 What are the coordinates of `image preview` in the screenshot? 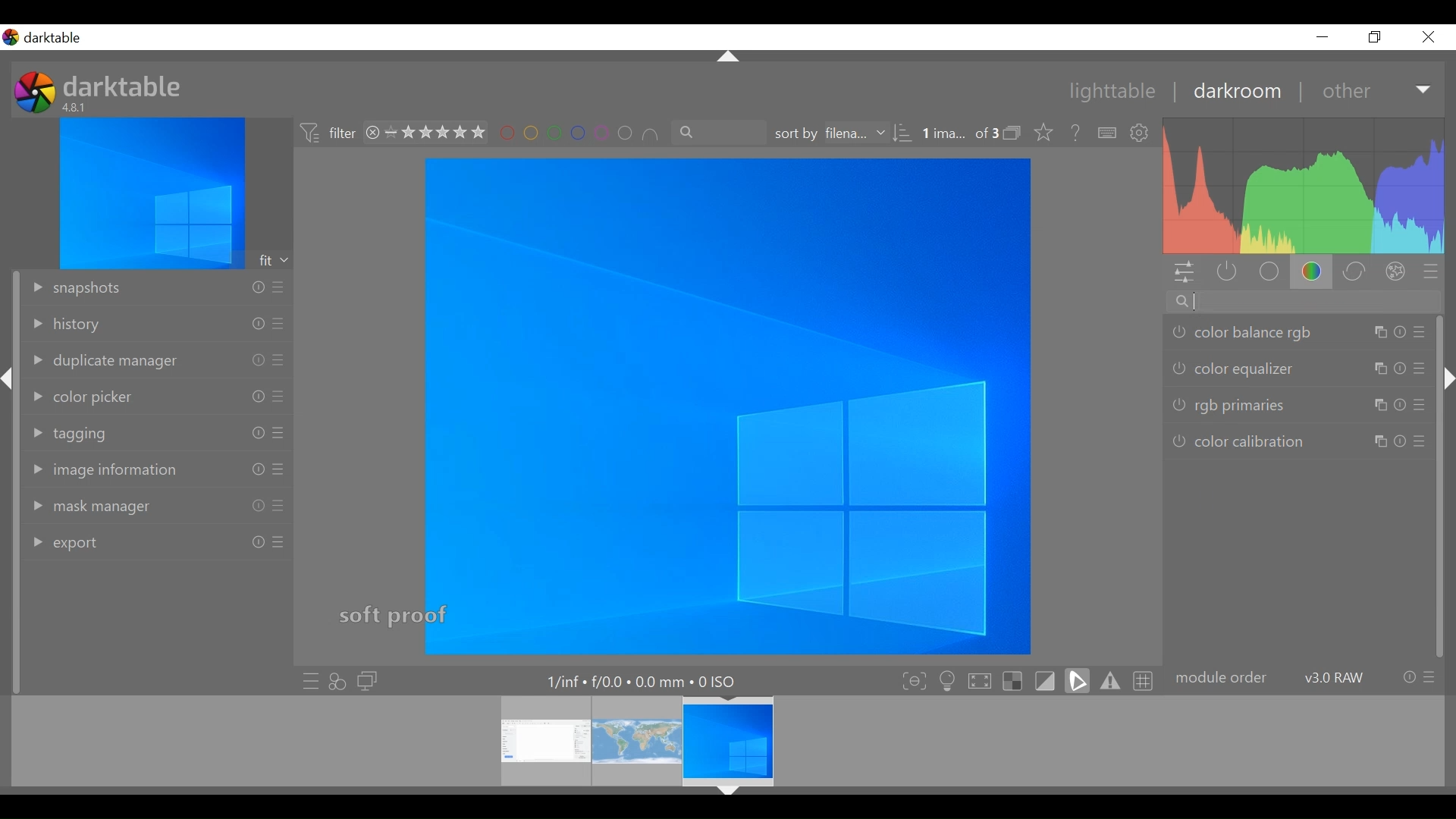 It's located at (152, 193).